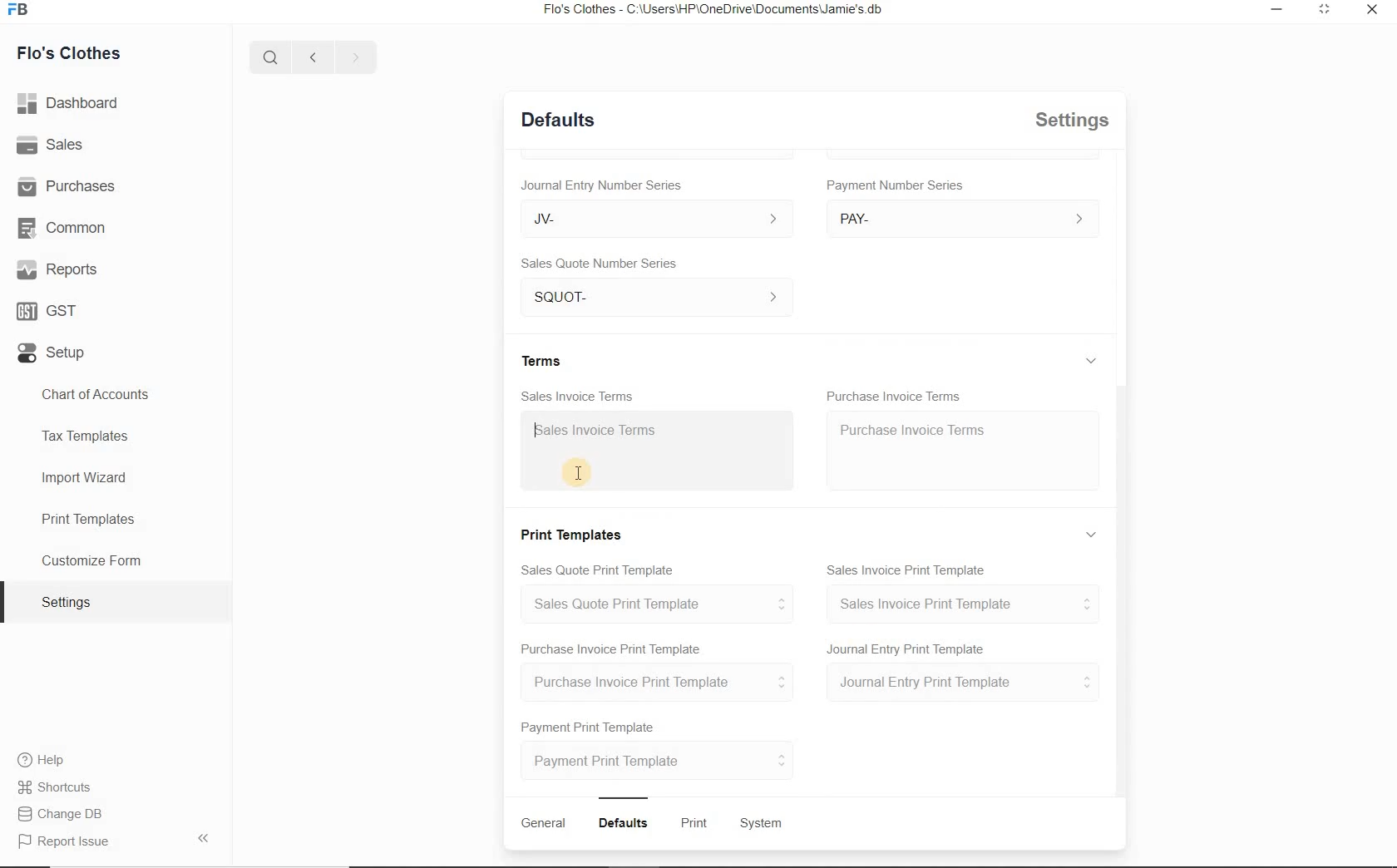  What do you see at coordinates (577, 397) in the screenshot?
I see `Sales Invoice Terms` at bounding box center [577, 397].